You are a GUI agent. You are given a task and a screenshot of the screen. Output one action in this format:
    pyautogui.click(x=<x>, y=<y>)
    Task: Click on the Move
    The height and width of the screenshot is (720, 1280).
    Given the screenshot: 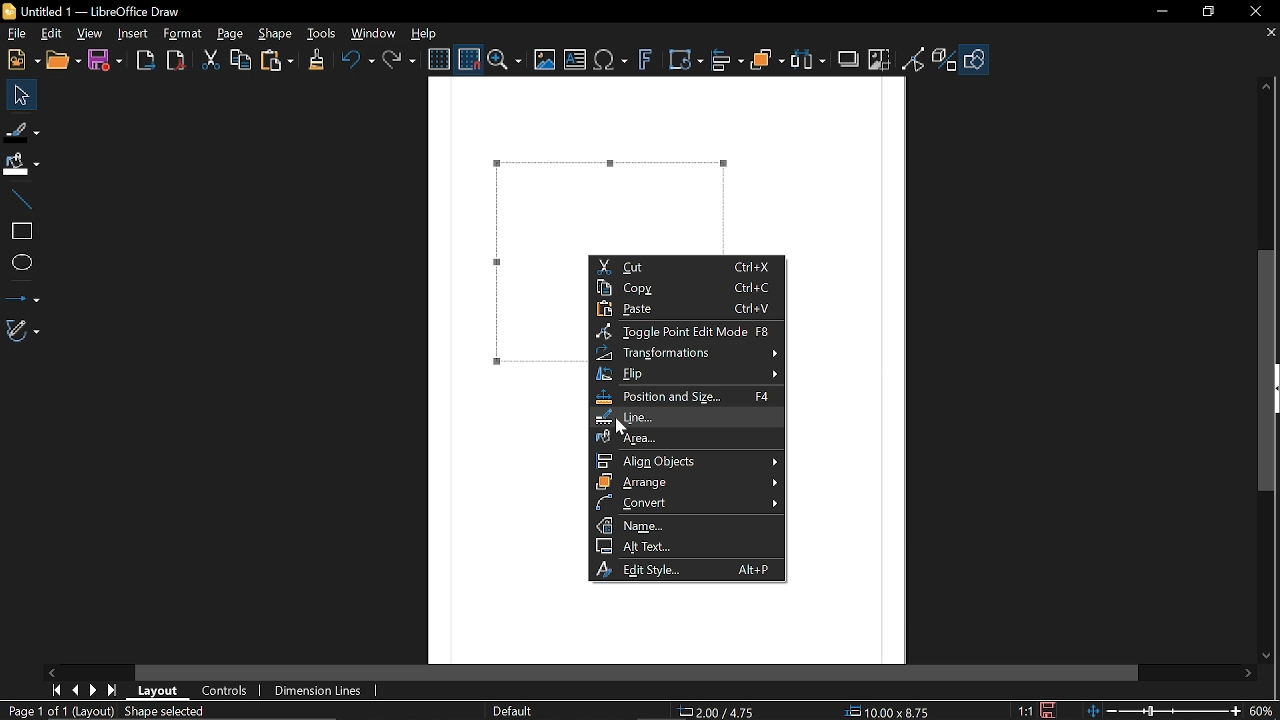 What is the action you would take?
    pyautogui.click(x=17, y=94)
    